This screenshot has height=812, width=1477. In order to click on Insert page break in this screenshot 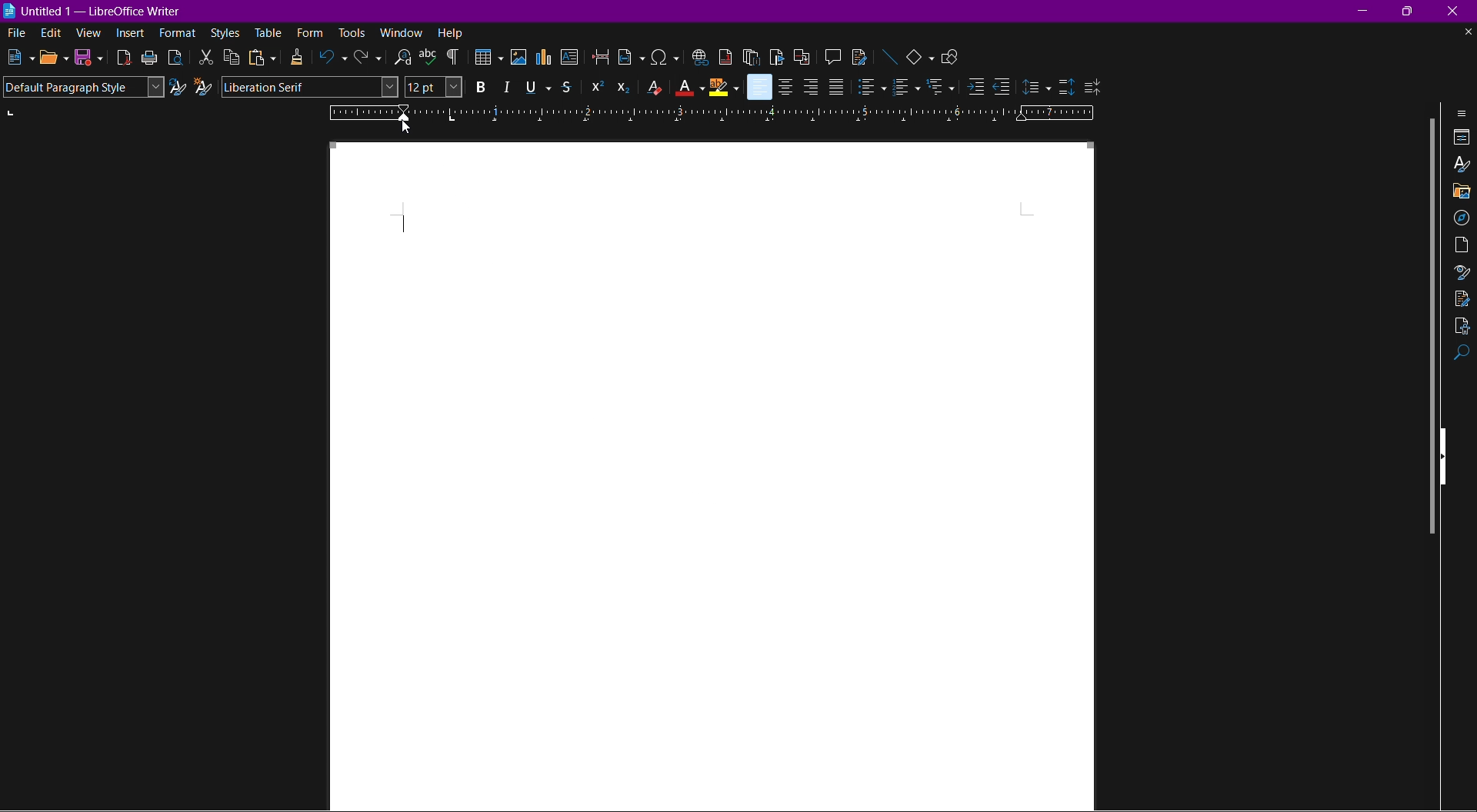, I will do `click(602, 58)`.